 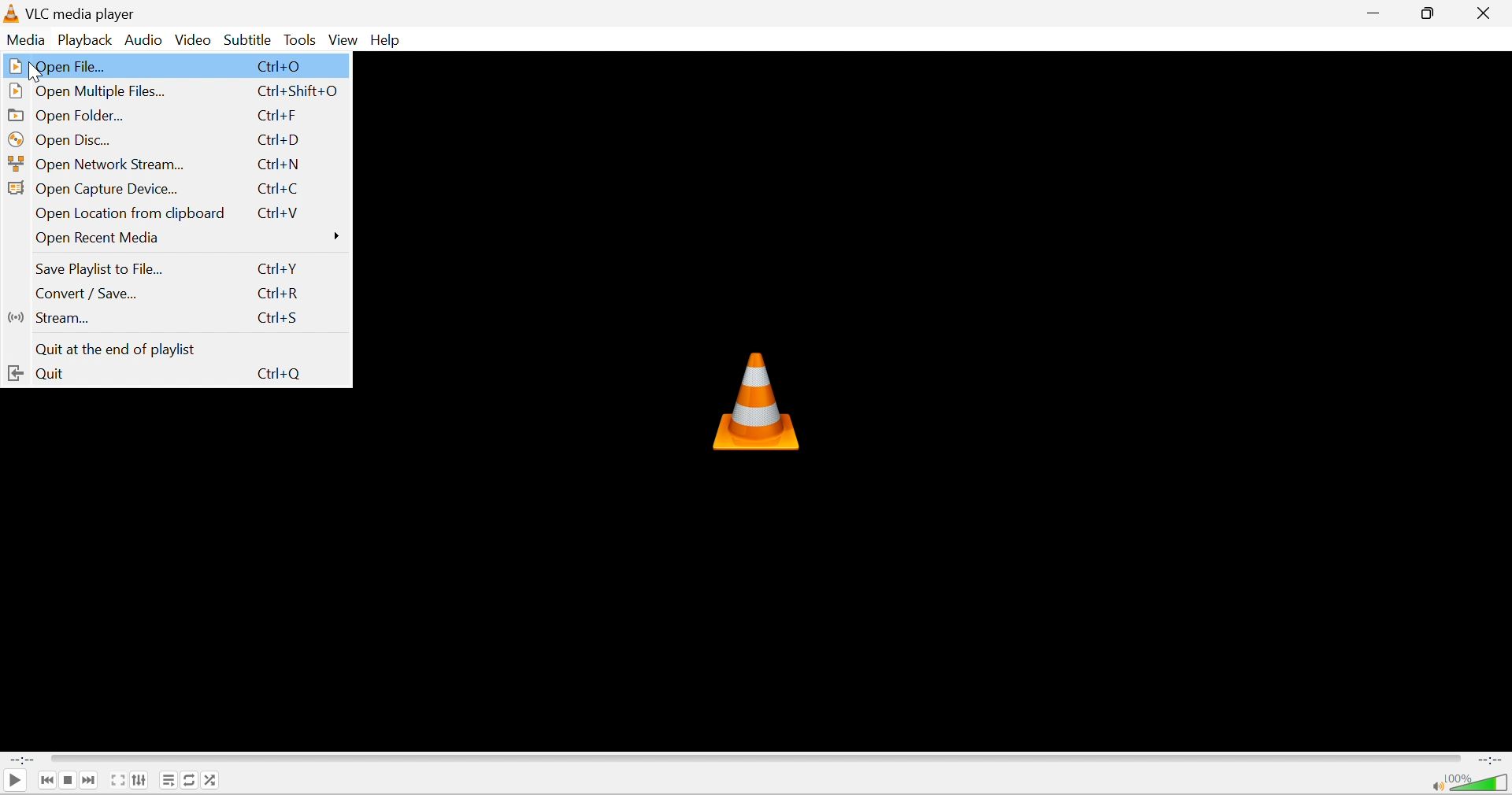 I want to click on Random, so click(x=212, y=779).